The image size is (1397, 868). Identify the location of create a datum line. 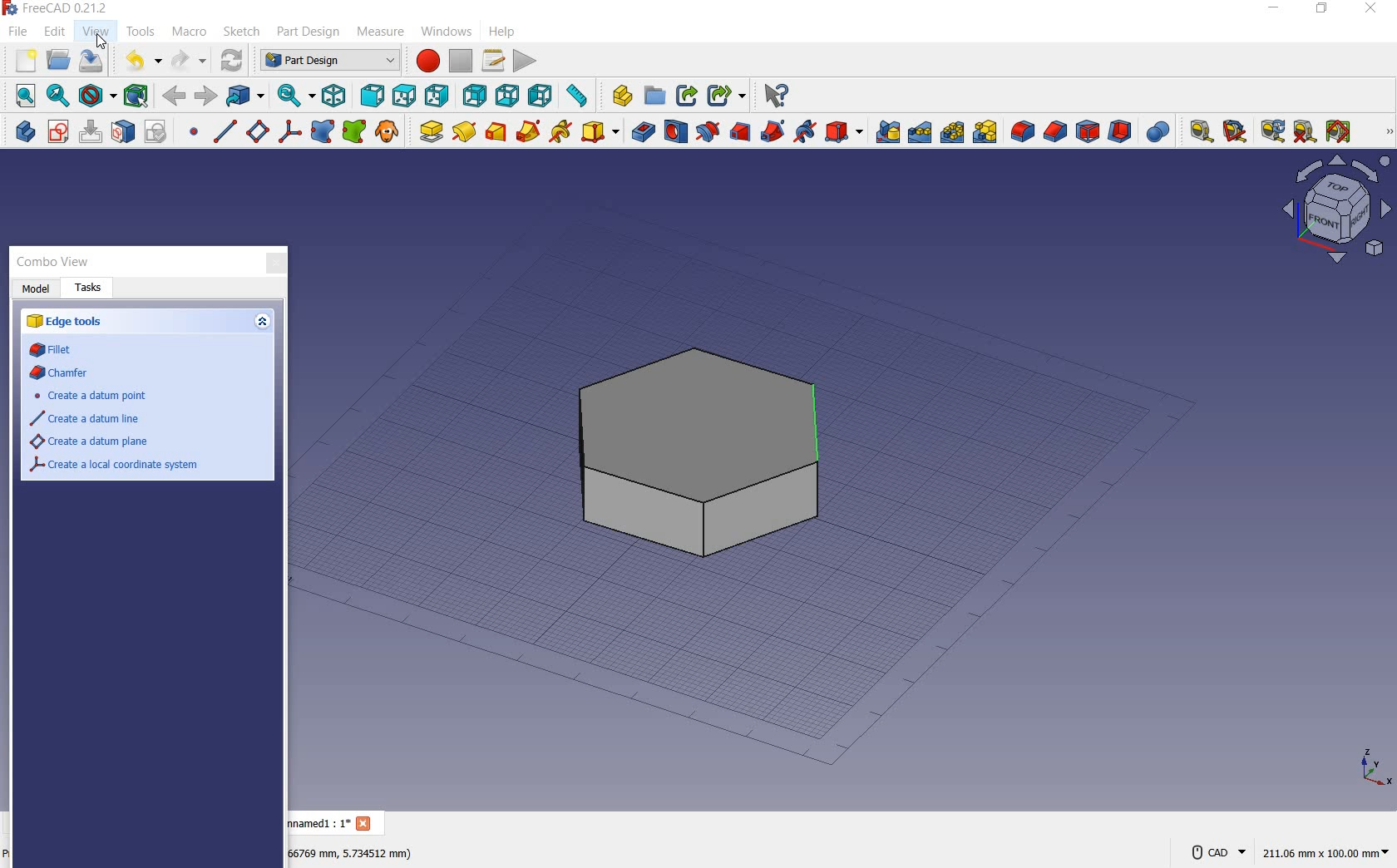
(85, 420).